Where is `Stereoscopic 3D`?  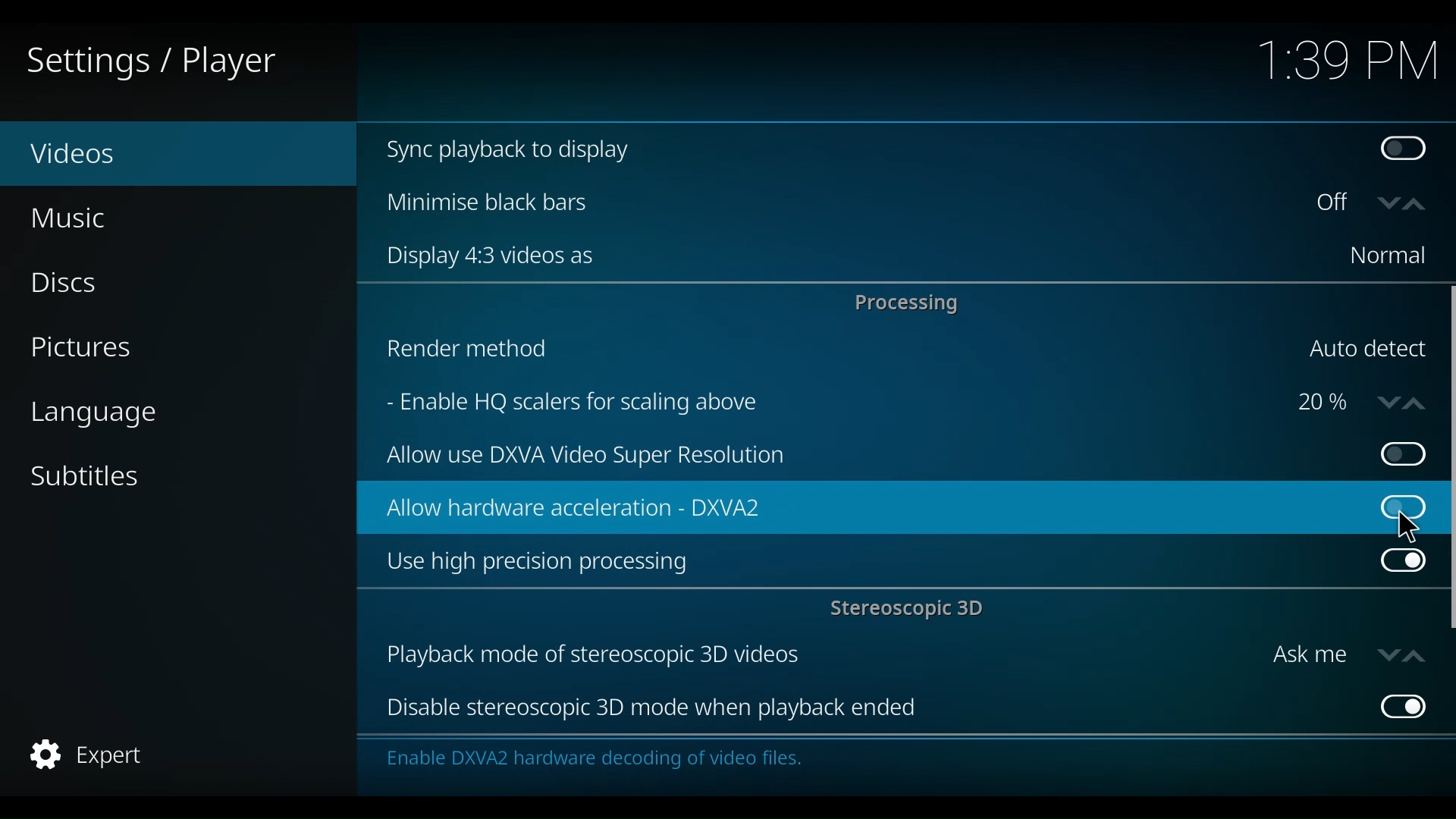
Stereoscopic 3D is located at coordinates (911, 610).